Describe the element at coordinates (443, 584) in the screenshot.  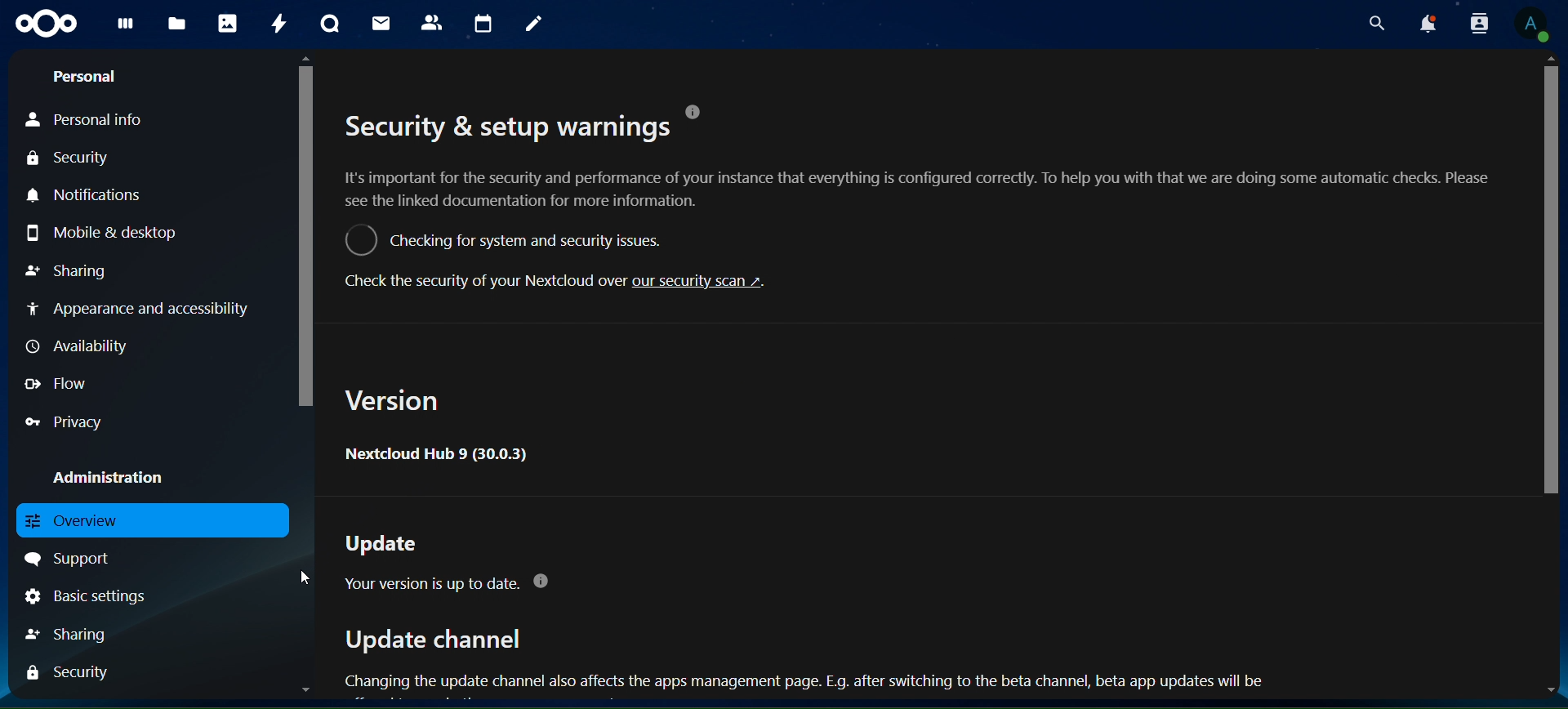
I see `Your version is up to date. @` at that location.